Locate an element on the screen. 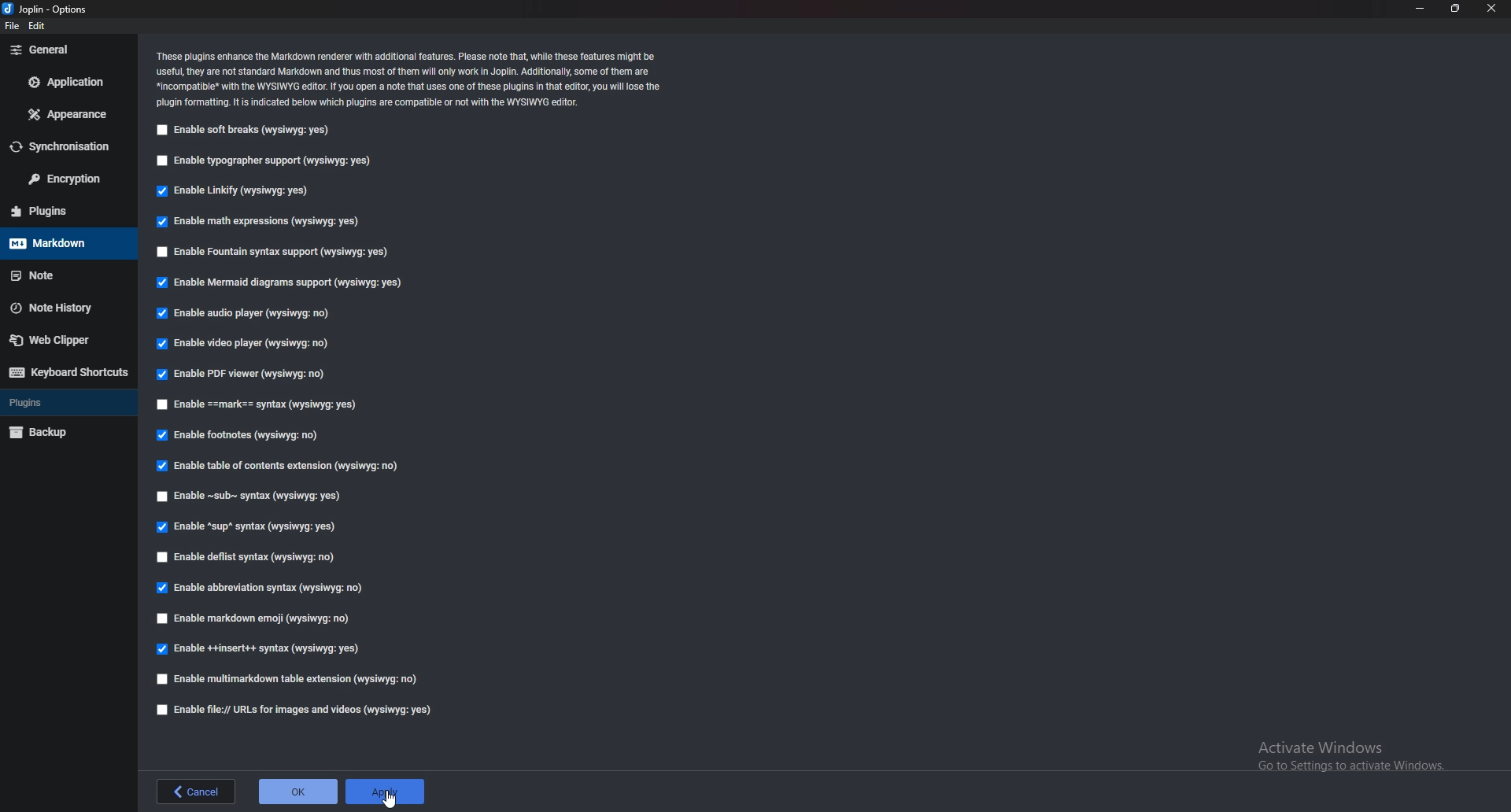 The height and width of the screenshot is (812, 1511). Note is located at coordinates (68, 275).